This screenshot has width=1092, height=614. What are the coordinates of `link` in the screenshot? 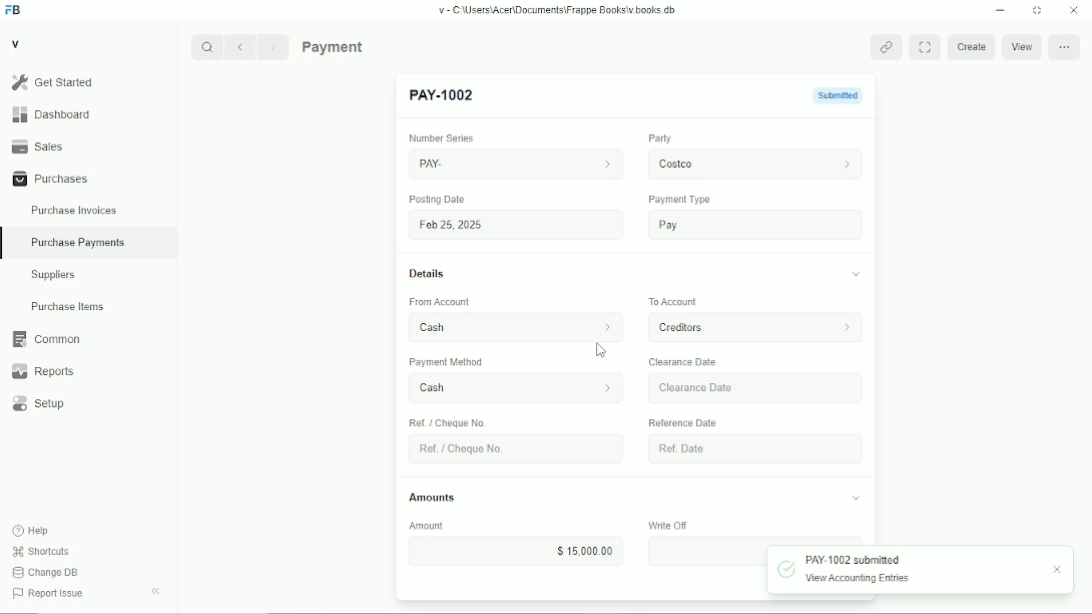 It's located at (886, 46).